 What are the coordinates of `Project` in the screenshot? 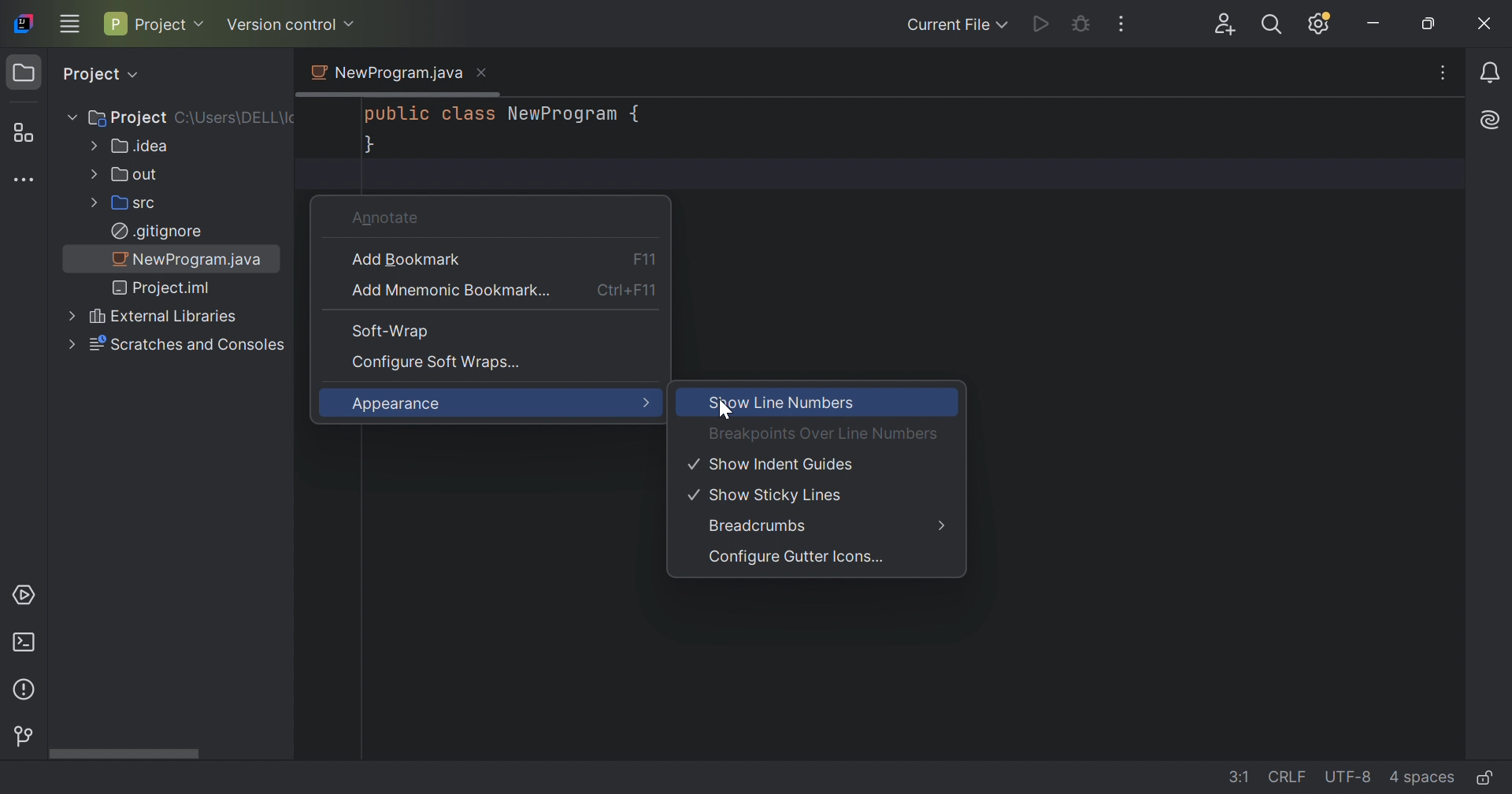 It's located at (89, 74).